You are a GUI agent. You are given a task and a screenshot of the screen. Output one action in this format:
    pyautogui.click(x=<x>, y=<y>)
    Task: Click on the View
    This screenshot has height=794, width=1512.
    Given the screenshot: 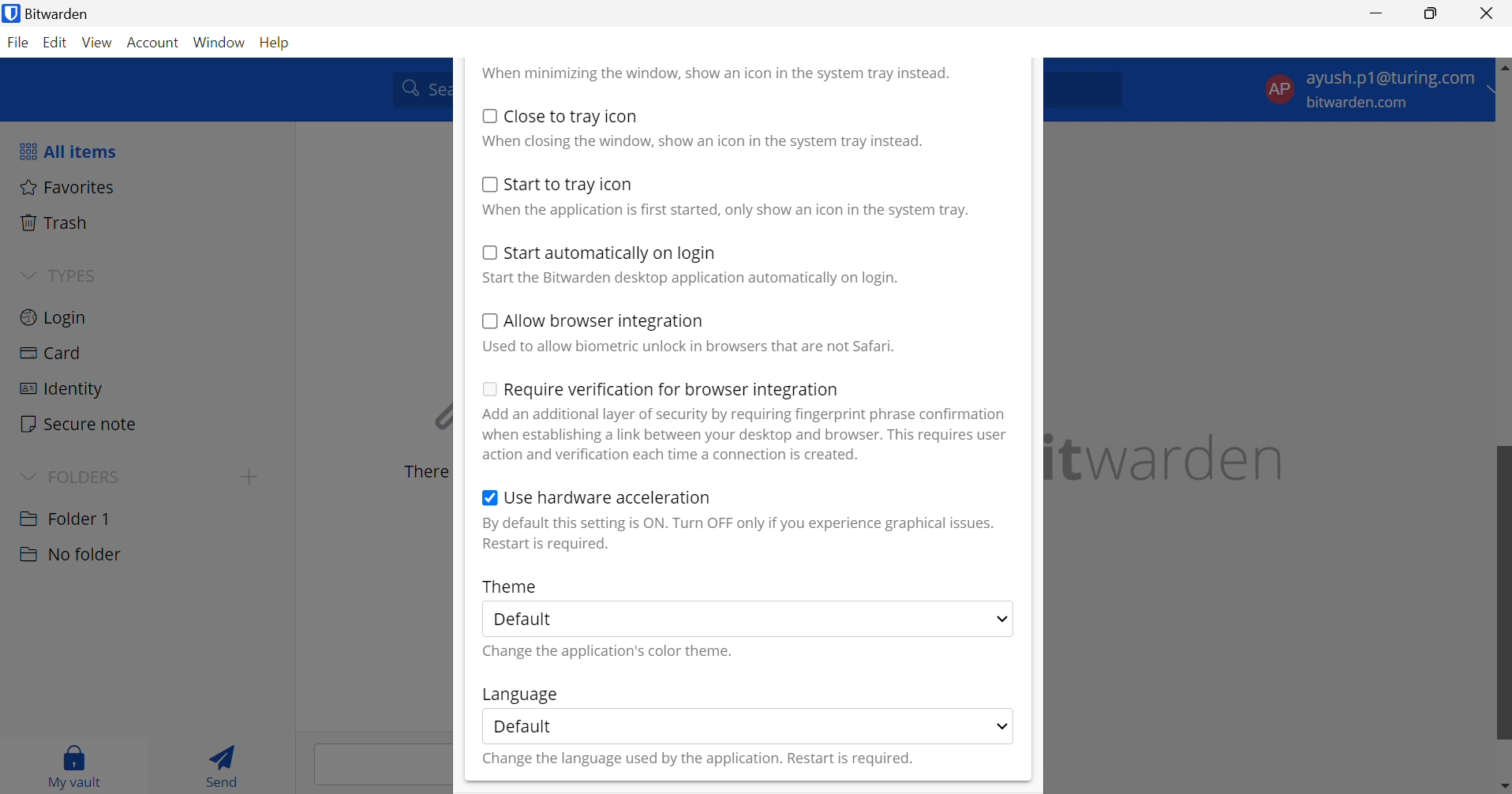 What is the action you would take?
    pyautogui.click(x=99, y=43)
    